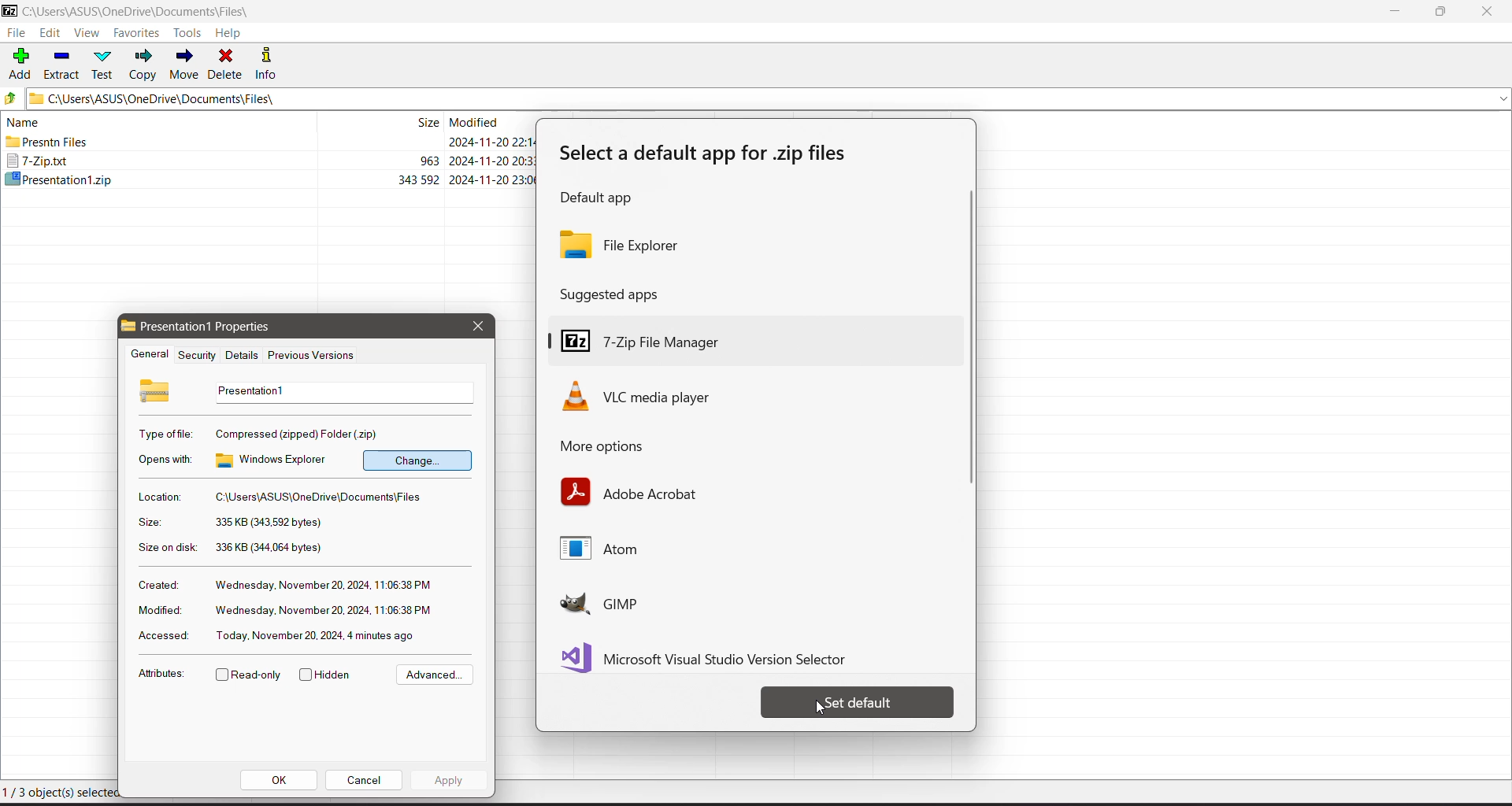 The image size is (1512, 806). I want to click on Extract, so click(62, 63).